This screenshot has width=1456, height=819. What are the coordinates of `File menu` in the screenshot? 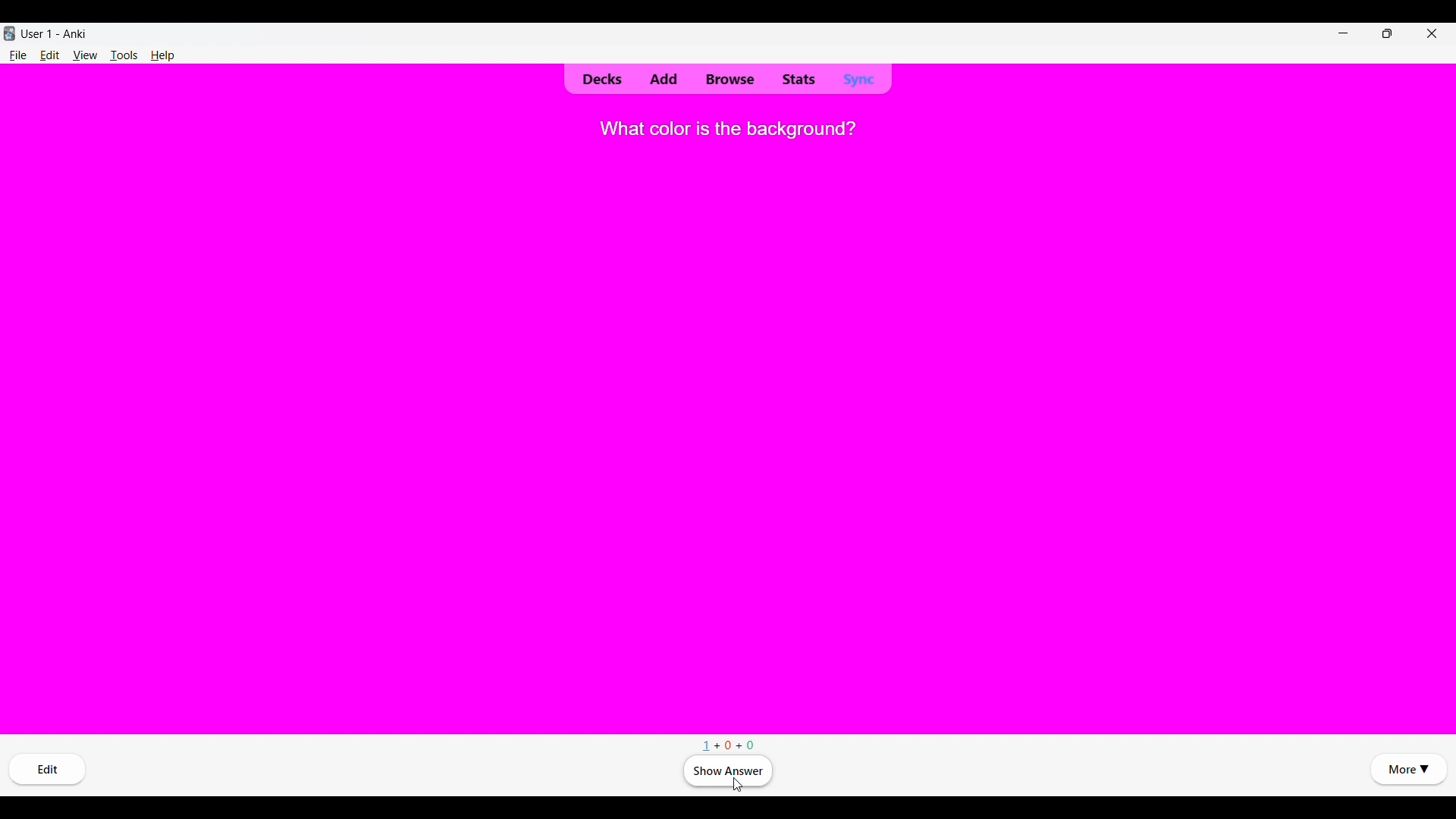 It's located at (17, 55).